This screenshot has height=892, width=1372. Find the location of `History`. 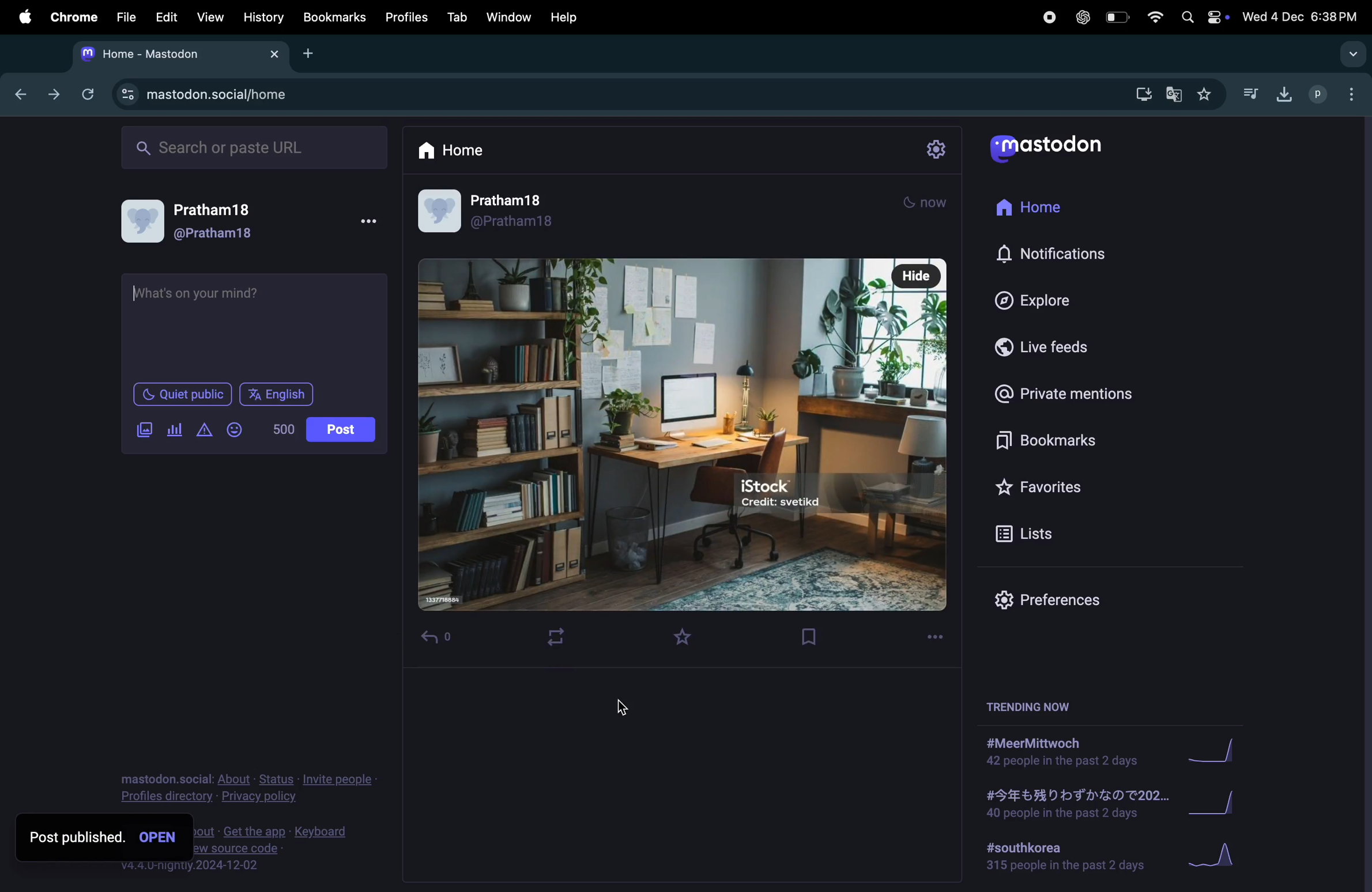

History is located at coordinates (259, 18).